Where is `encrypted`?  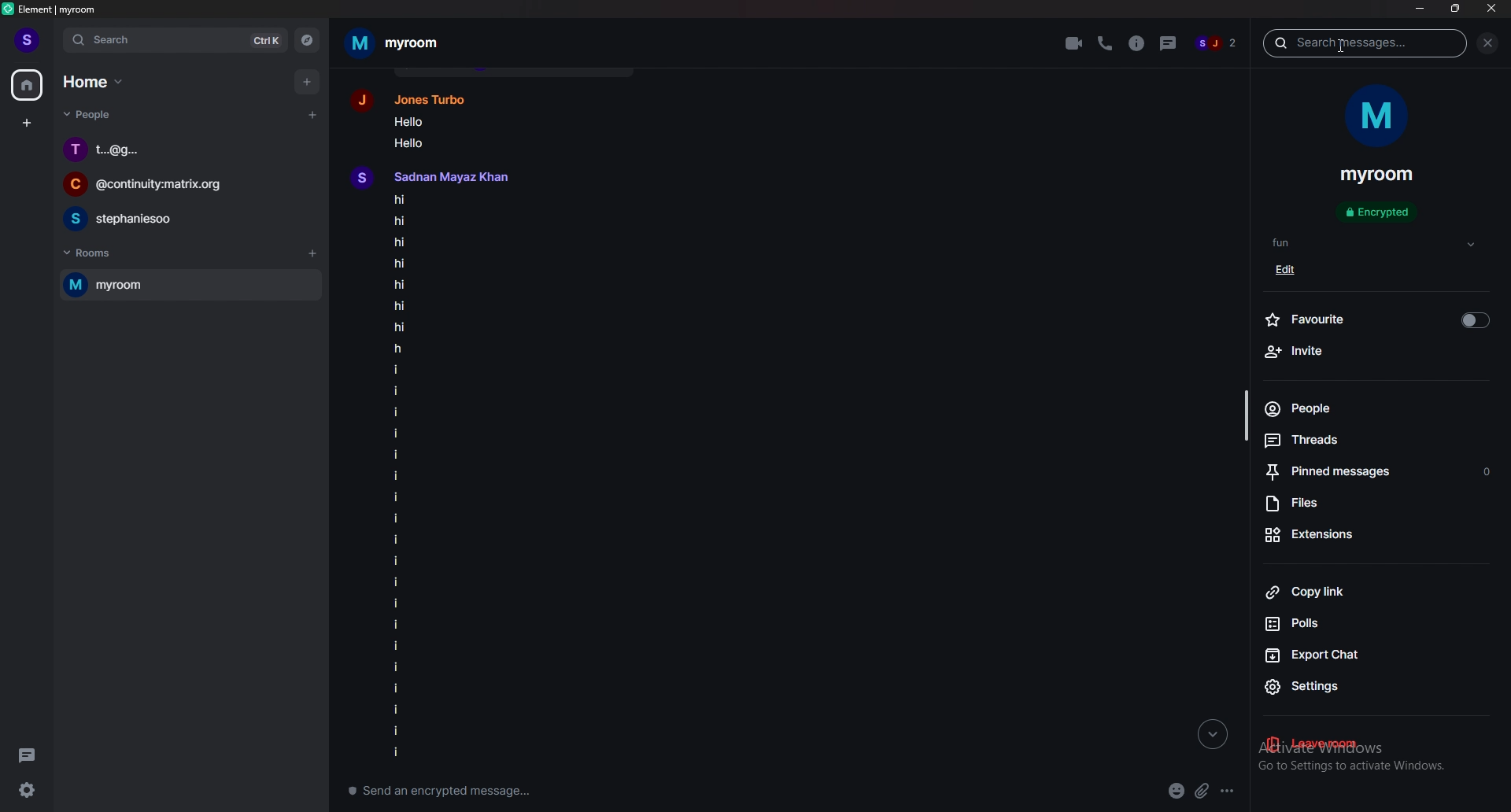
encrypted is located at coordinates (1380, 212).